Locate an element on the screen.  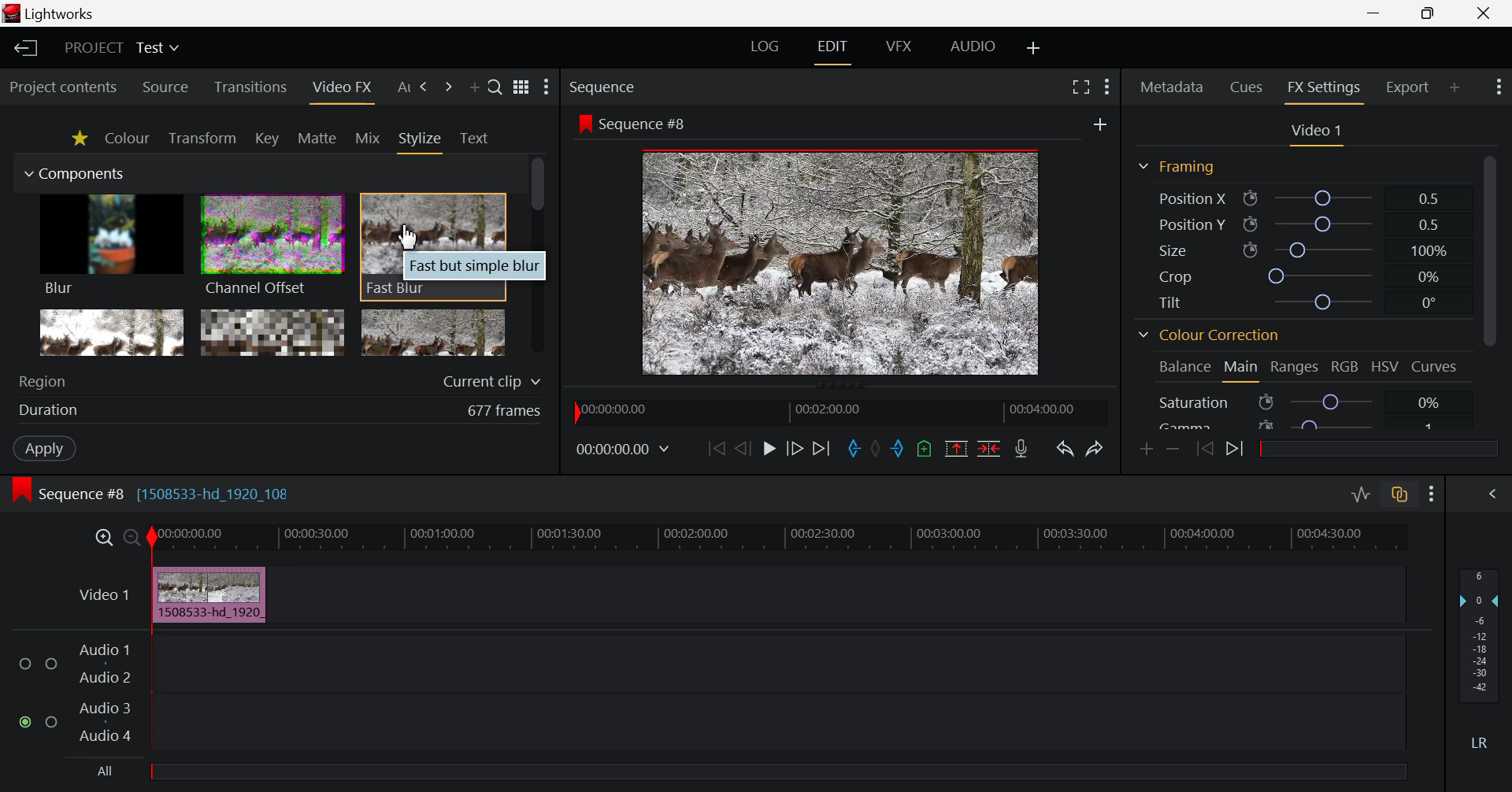
Remove all marks is located at coordinates (877, 448).